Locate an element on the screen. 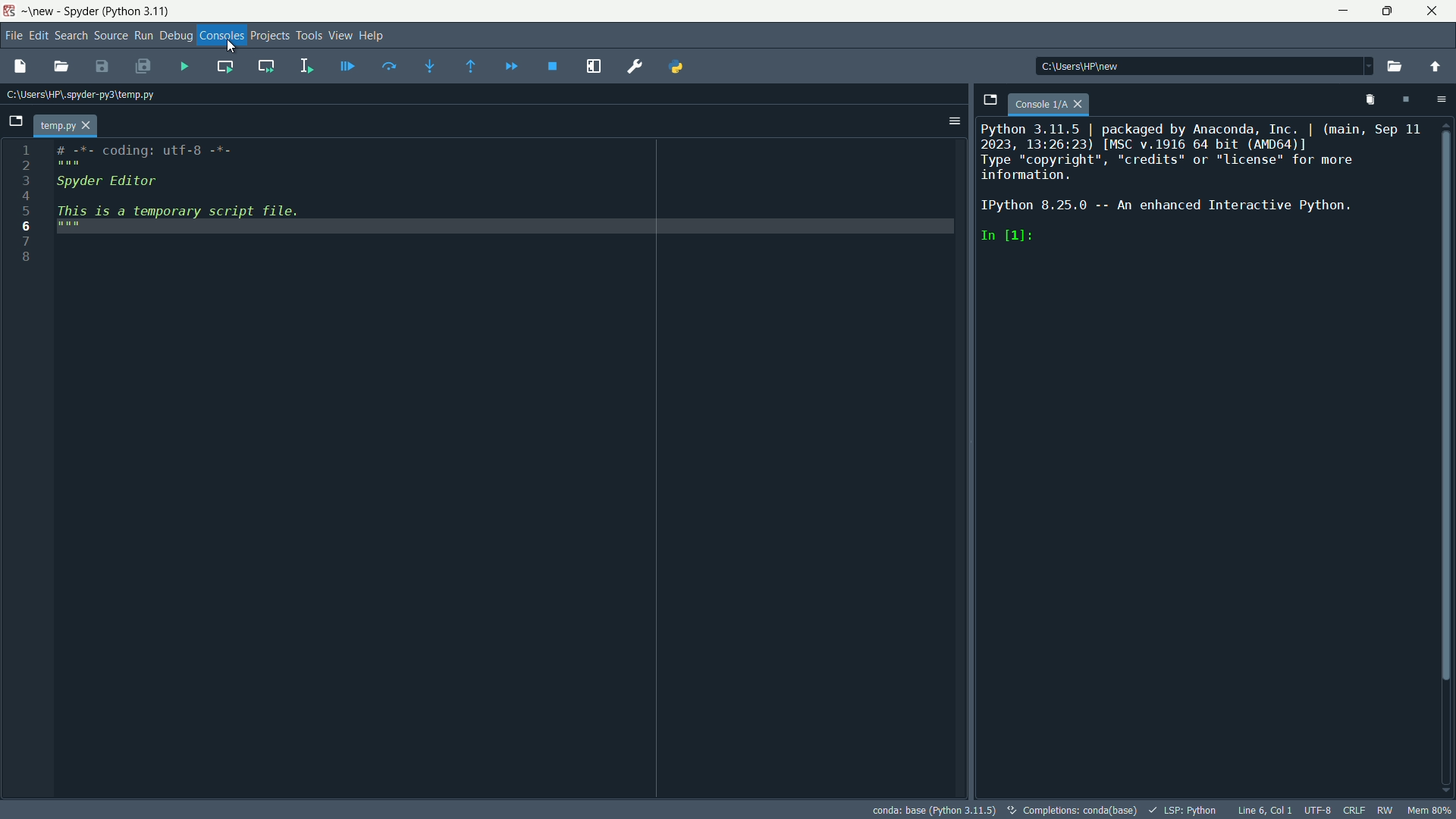 The image size is (1456, 819). #.*. coding: utf.8 .*. ### Spyder Editor This is a temporary script file.### is located at coordinates (504, 201).